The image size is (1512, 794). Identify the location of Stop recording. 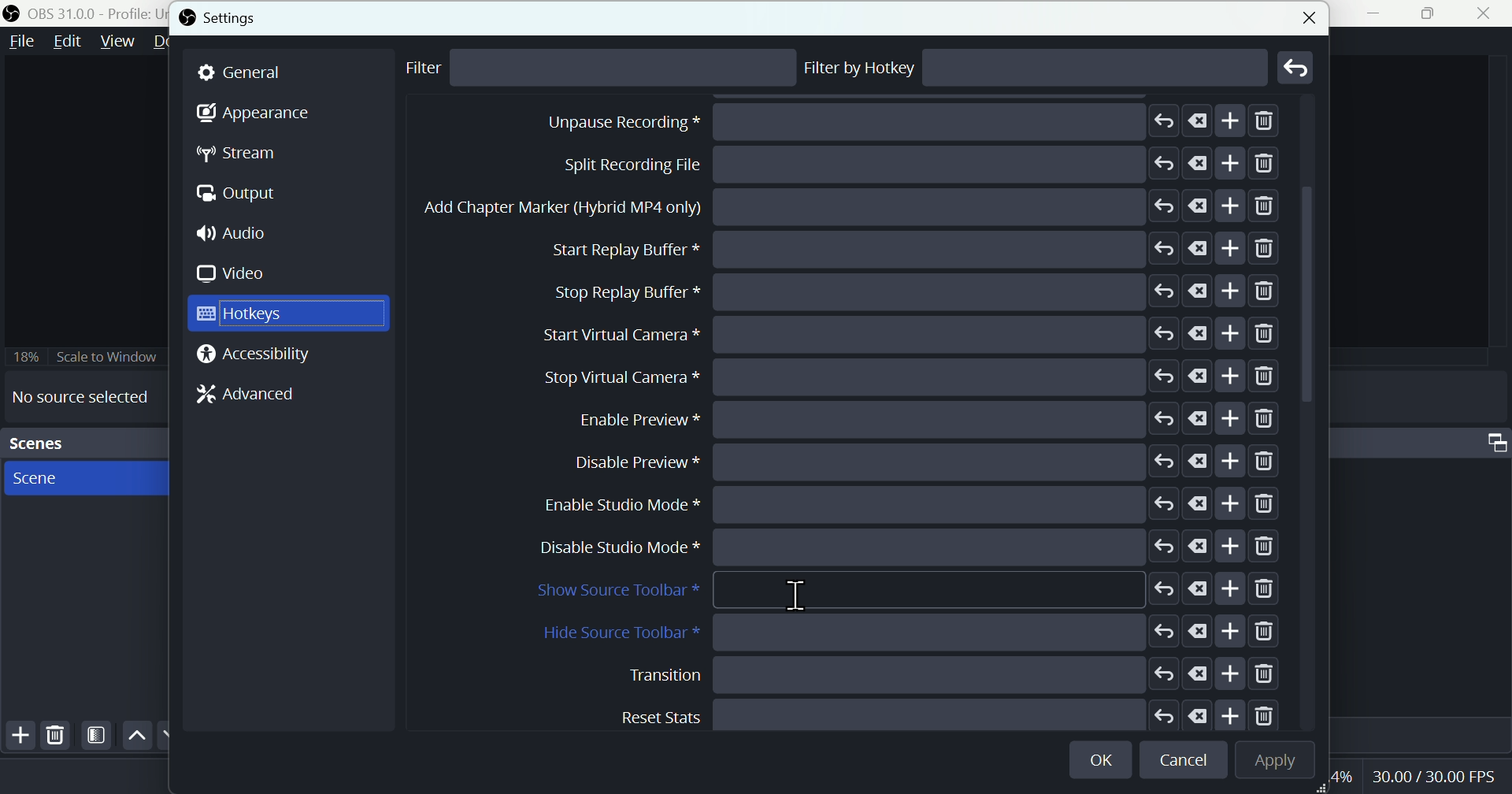
(854, 209).